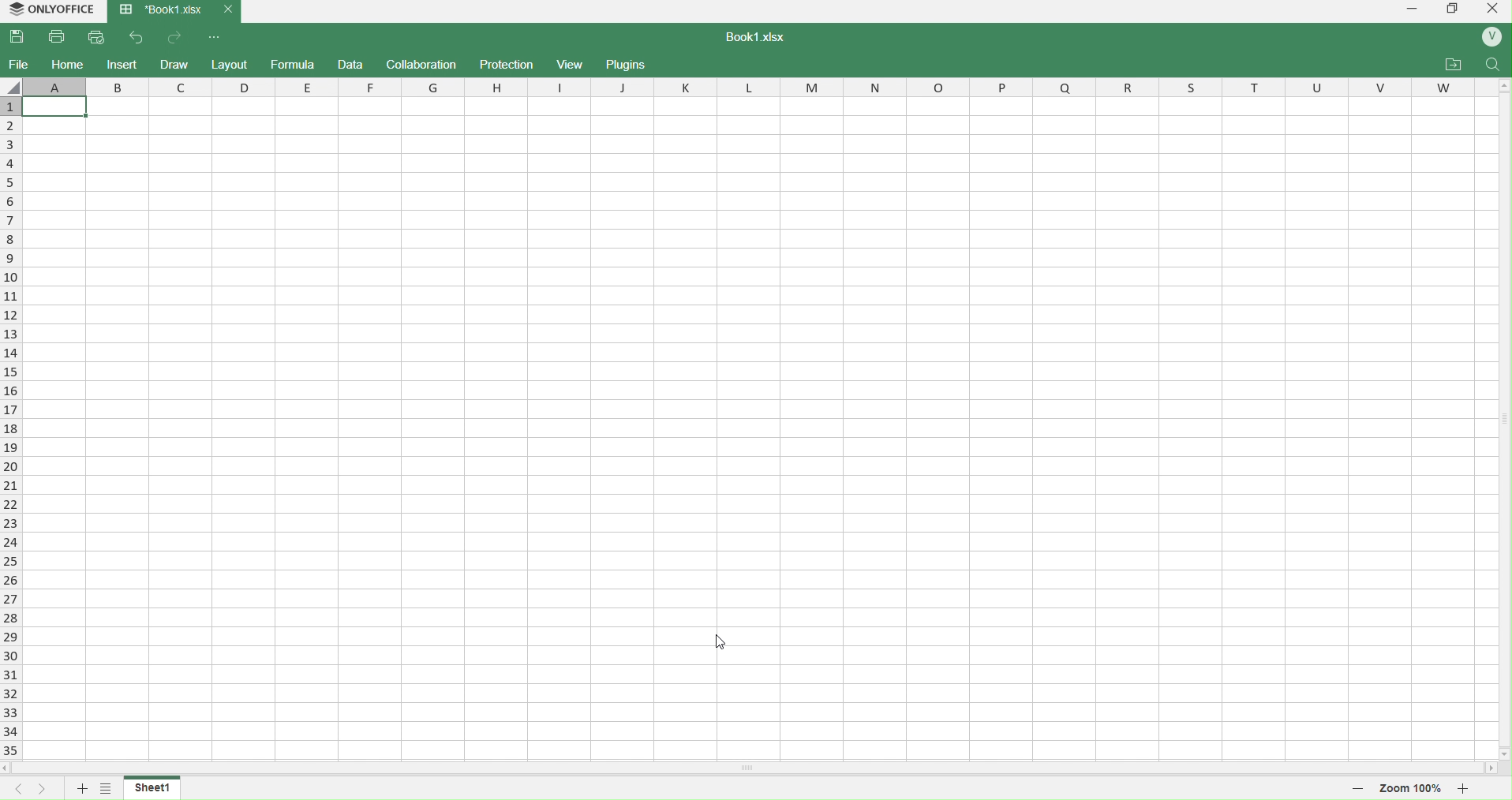 The width and height of the screenshot is (1512, 800). I want to click on formula, so click(293, 65).